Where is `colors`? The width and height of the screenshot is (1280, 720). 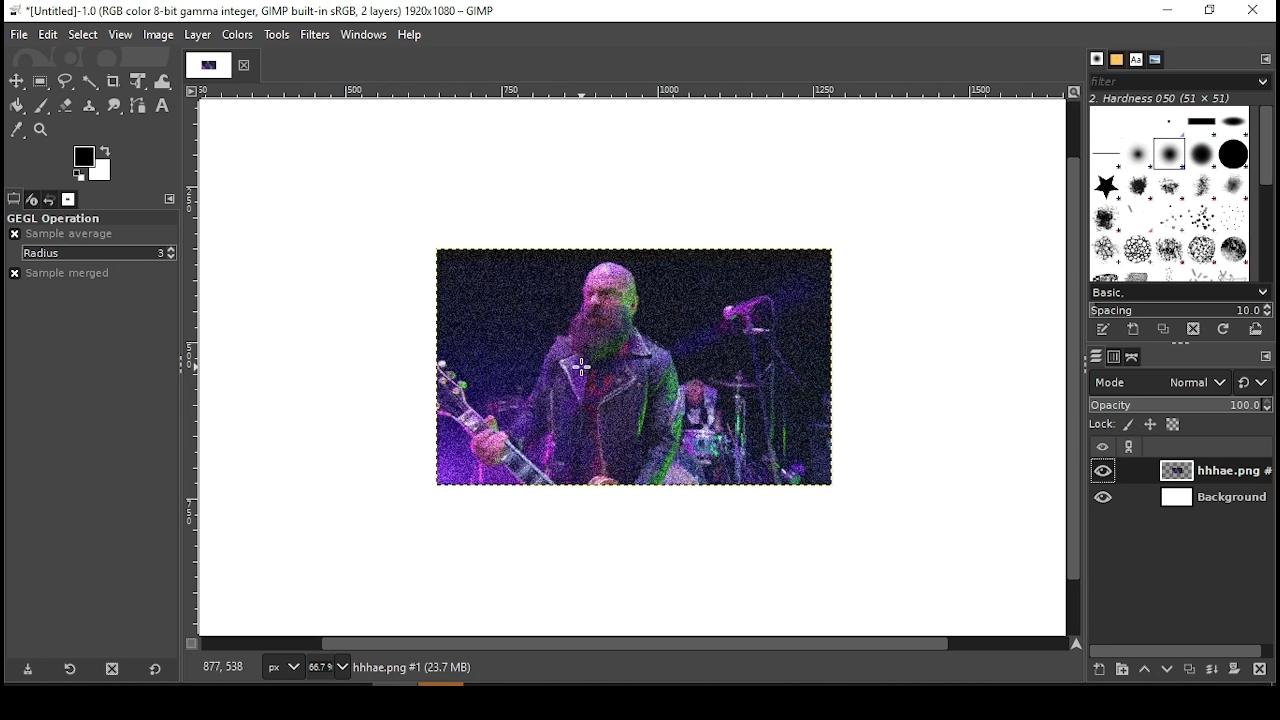 colors is located at coordinates (238, 36).